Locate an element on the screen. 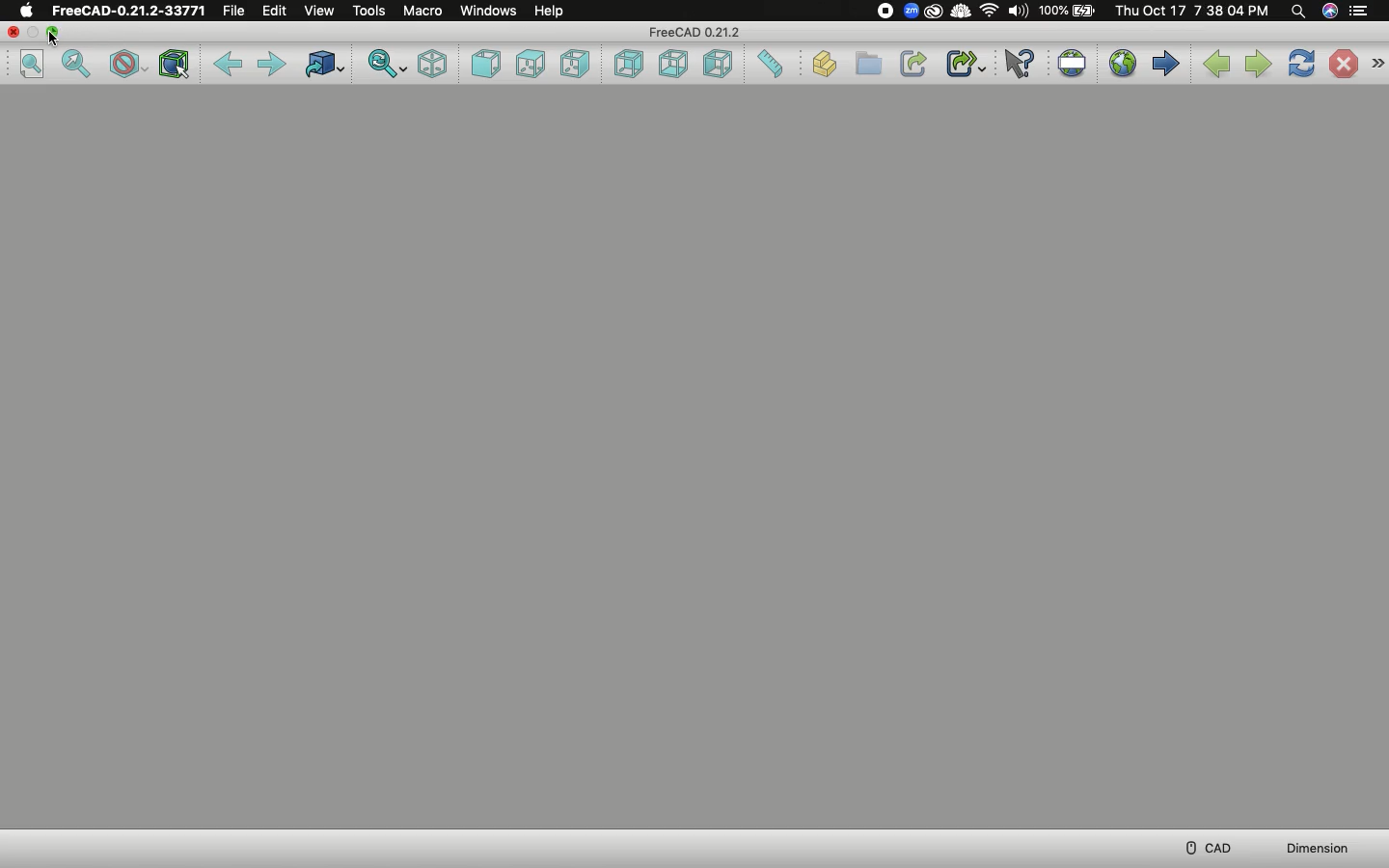 The width and height of the screenshot is (1389, 868). Extension is located at coordinates (937, 11).